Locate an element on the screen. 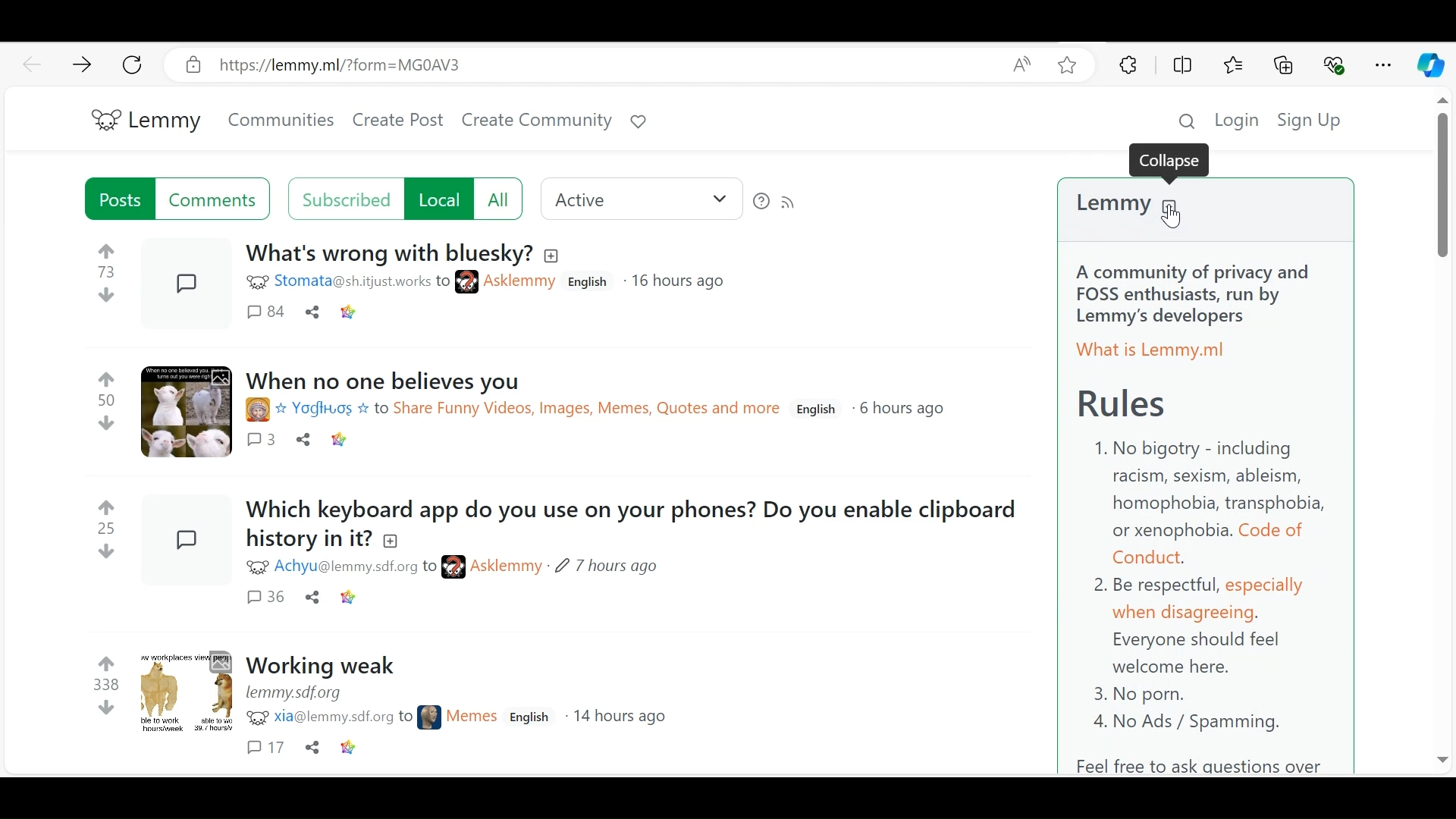 The image size is (1456, 819). mentions is located at coordinates (362, 282).